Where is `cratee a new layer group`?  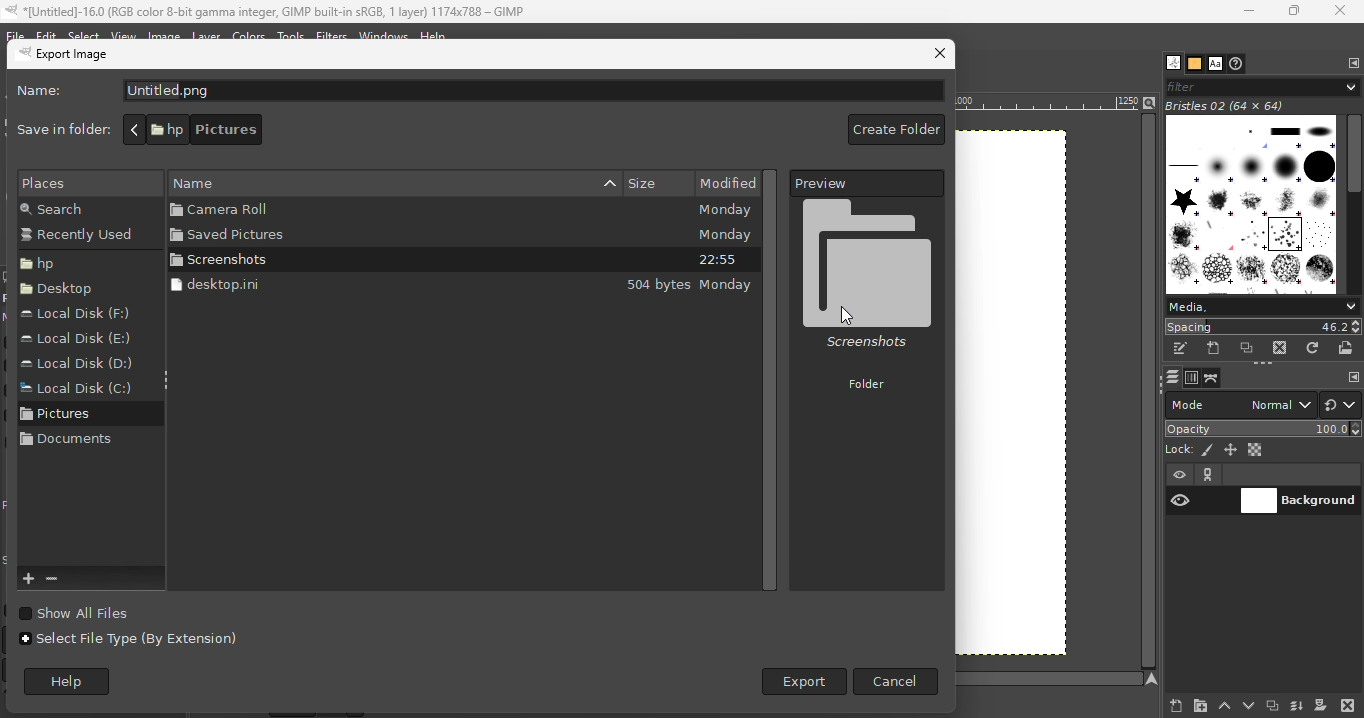
cratee a new layer group is located at coordinates (1199, 705).